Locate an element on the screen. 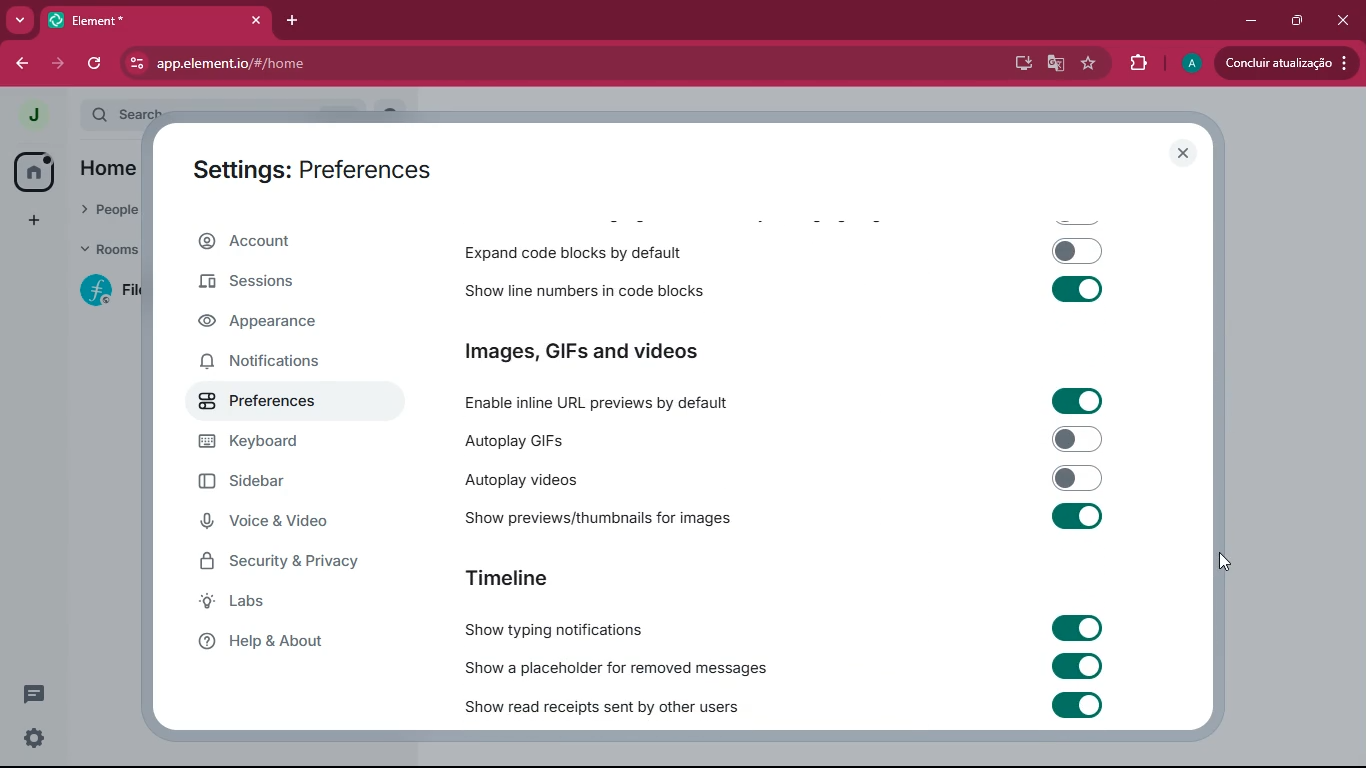 The width and height of the screenshot is (1366, 768). close tab is located at coordinates (256, 20).